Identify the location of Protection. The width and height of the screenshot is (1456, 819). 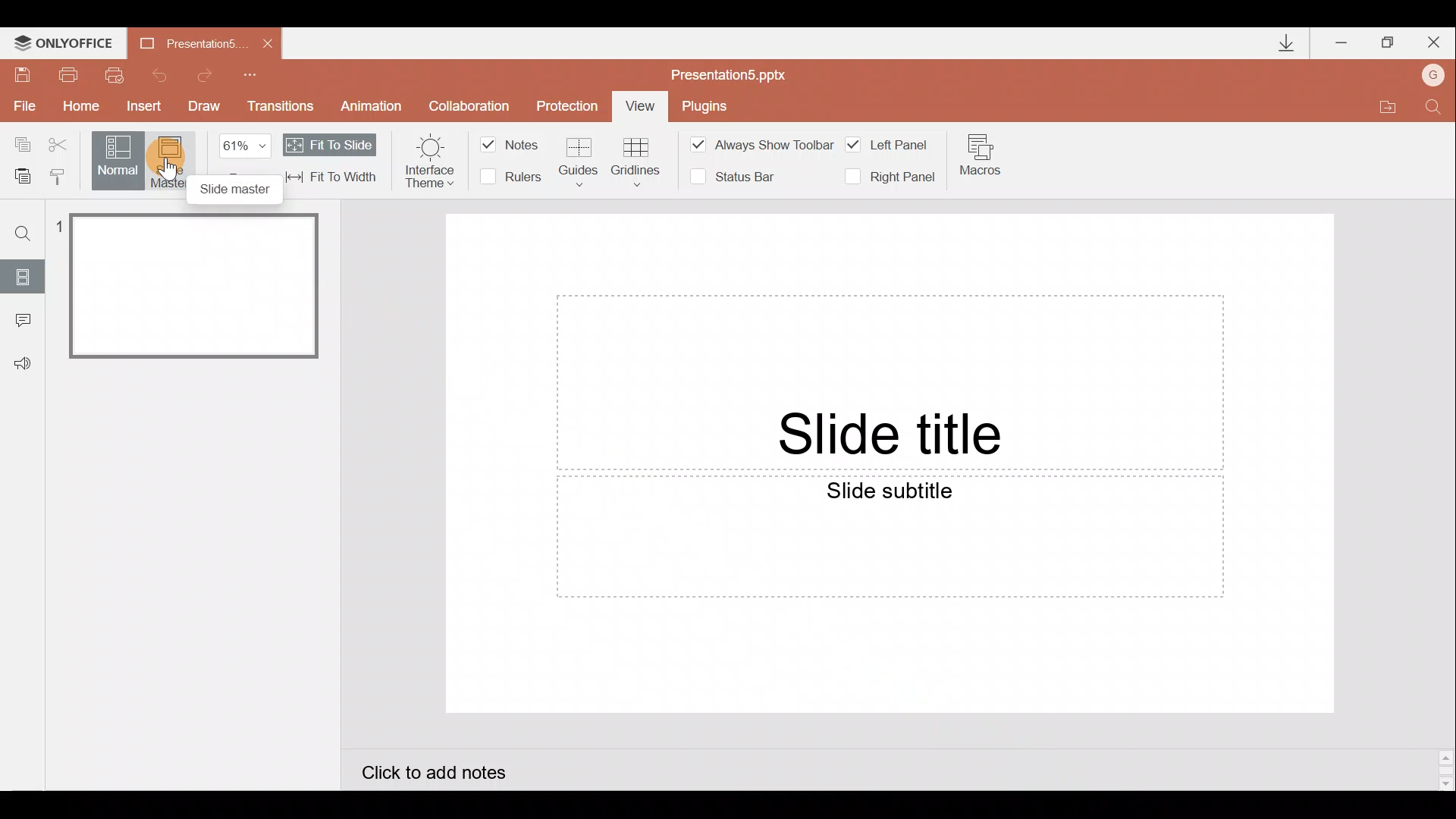
(569, 107).